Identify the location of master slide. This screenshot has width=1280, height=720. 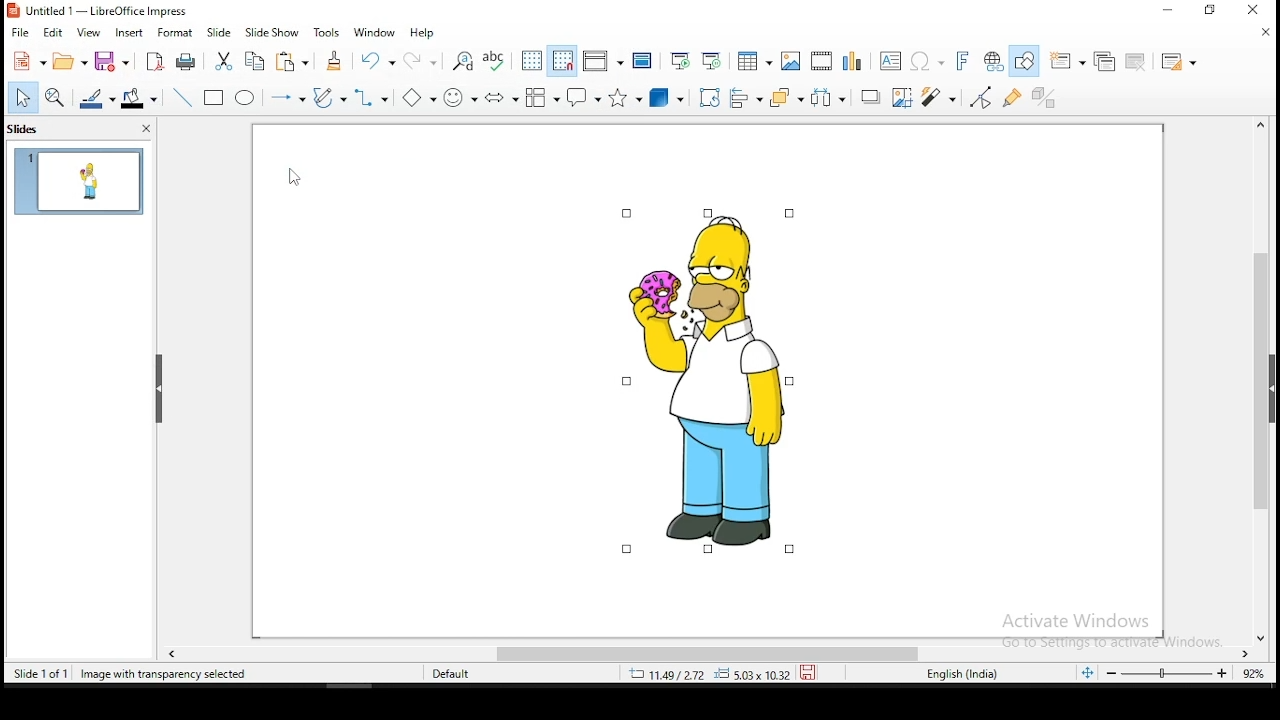
(644, 58).